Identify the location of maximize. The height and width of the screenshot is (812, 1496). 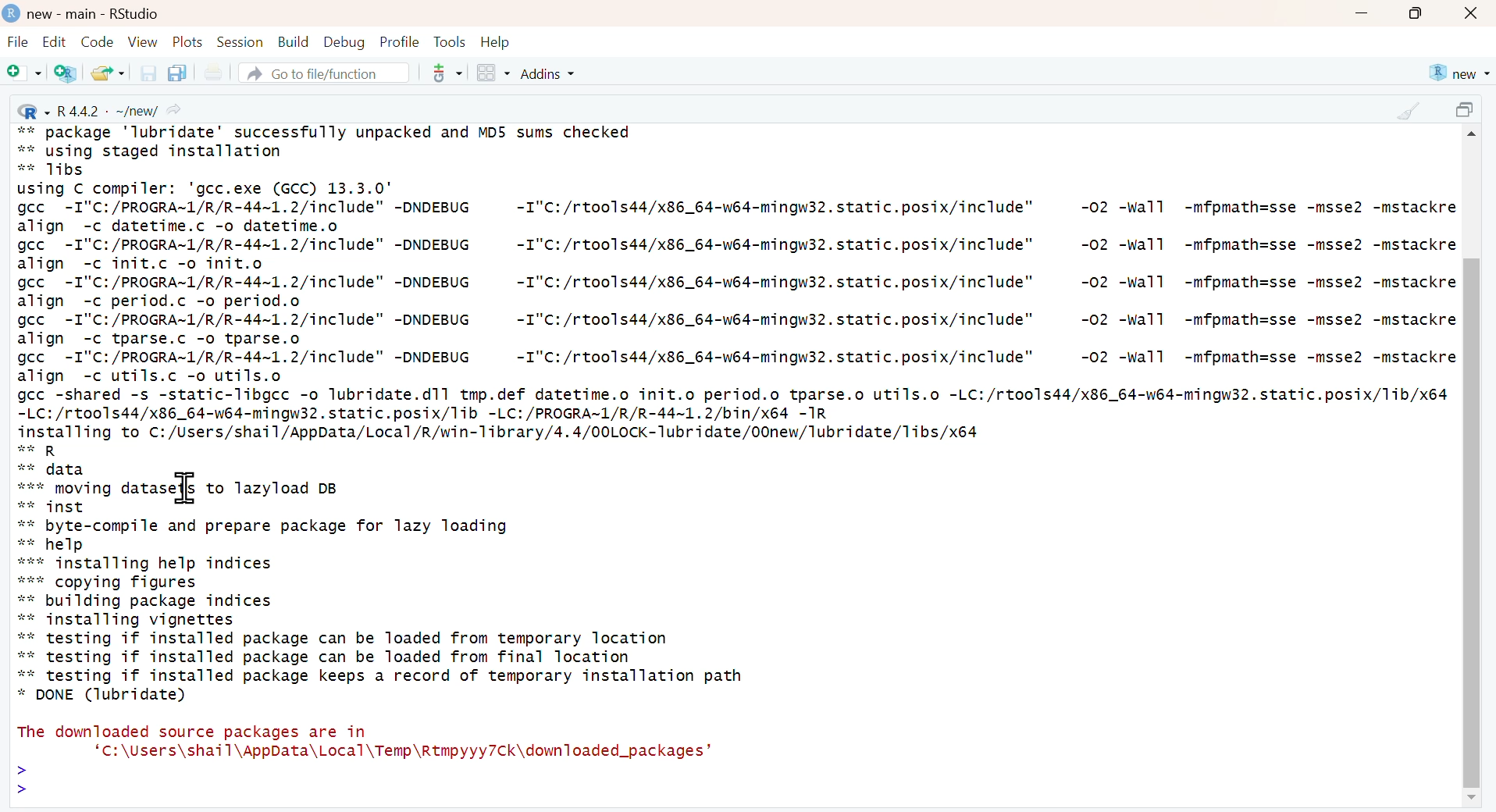
(1468, 112).